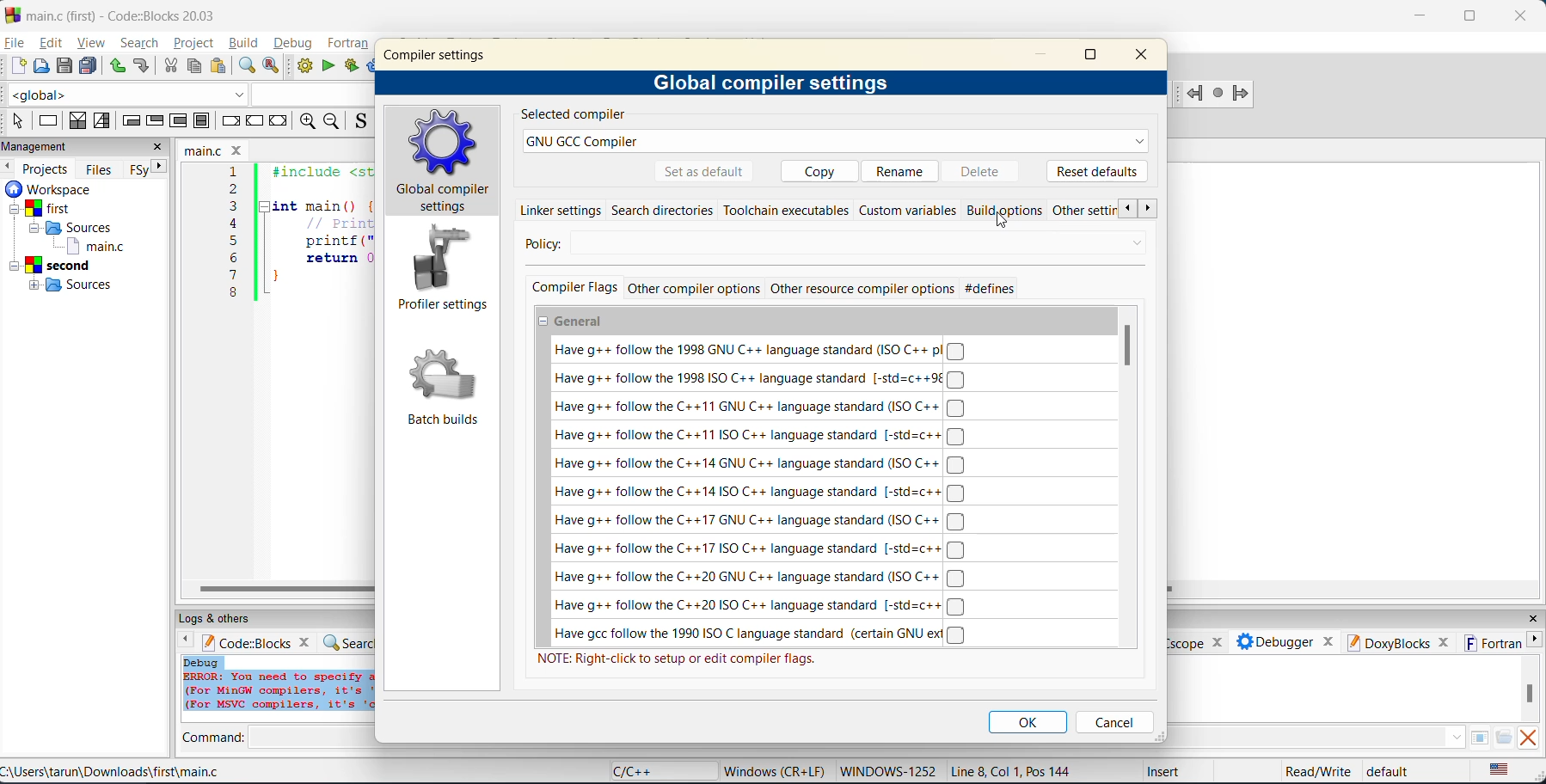 The width and height of the screenshot is (1546, 784). Describe the element at coordinates (1195, 95) in the screenshot. I see `jump back` at that location.